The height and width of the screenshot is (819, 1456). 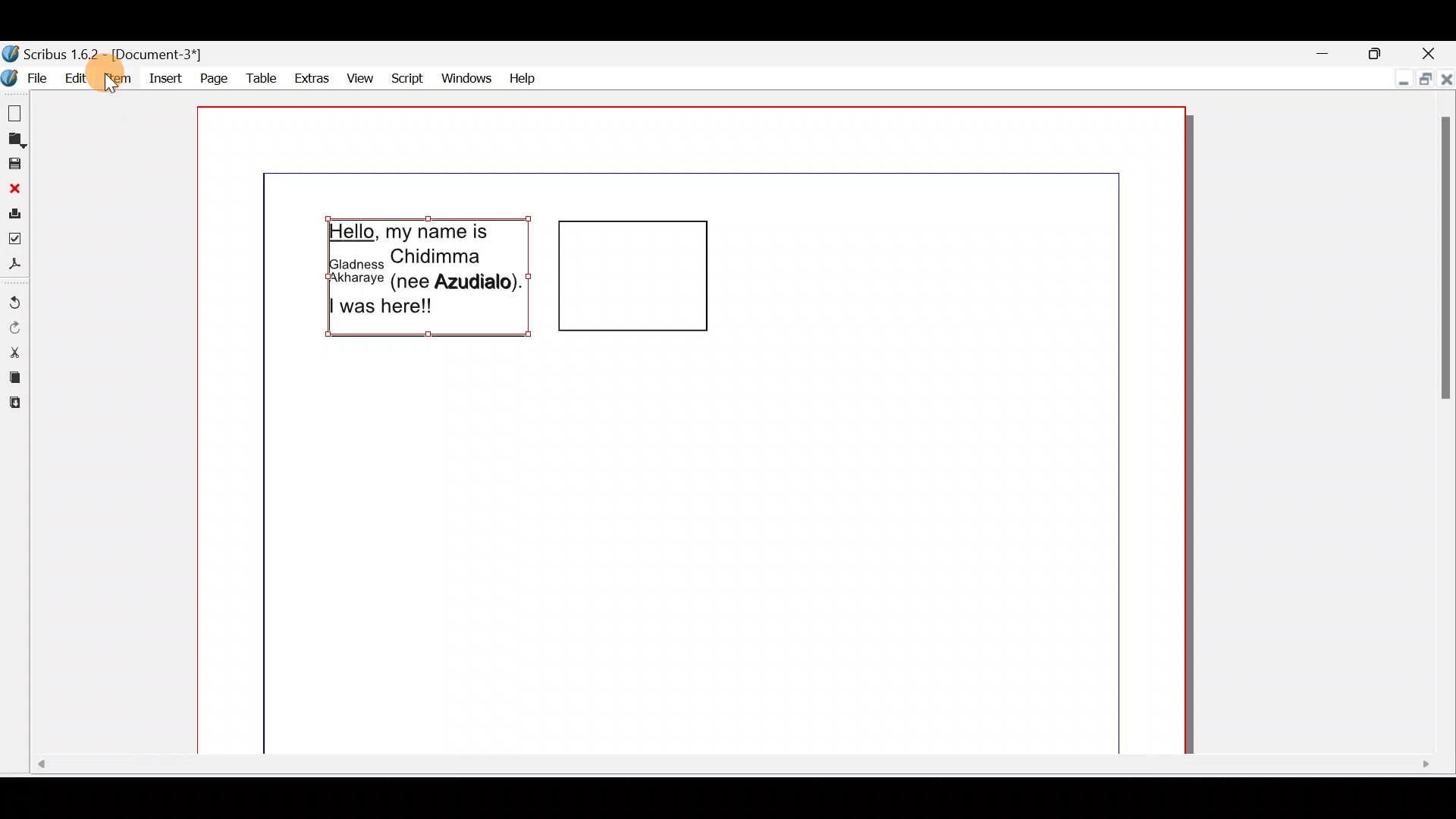 What do you see at coordinates (408, 76) in the screenshot?
I see `Script` at bounding box center [408, 76].